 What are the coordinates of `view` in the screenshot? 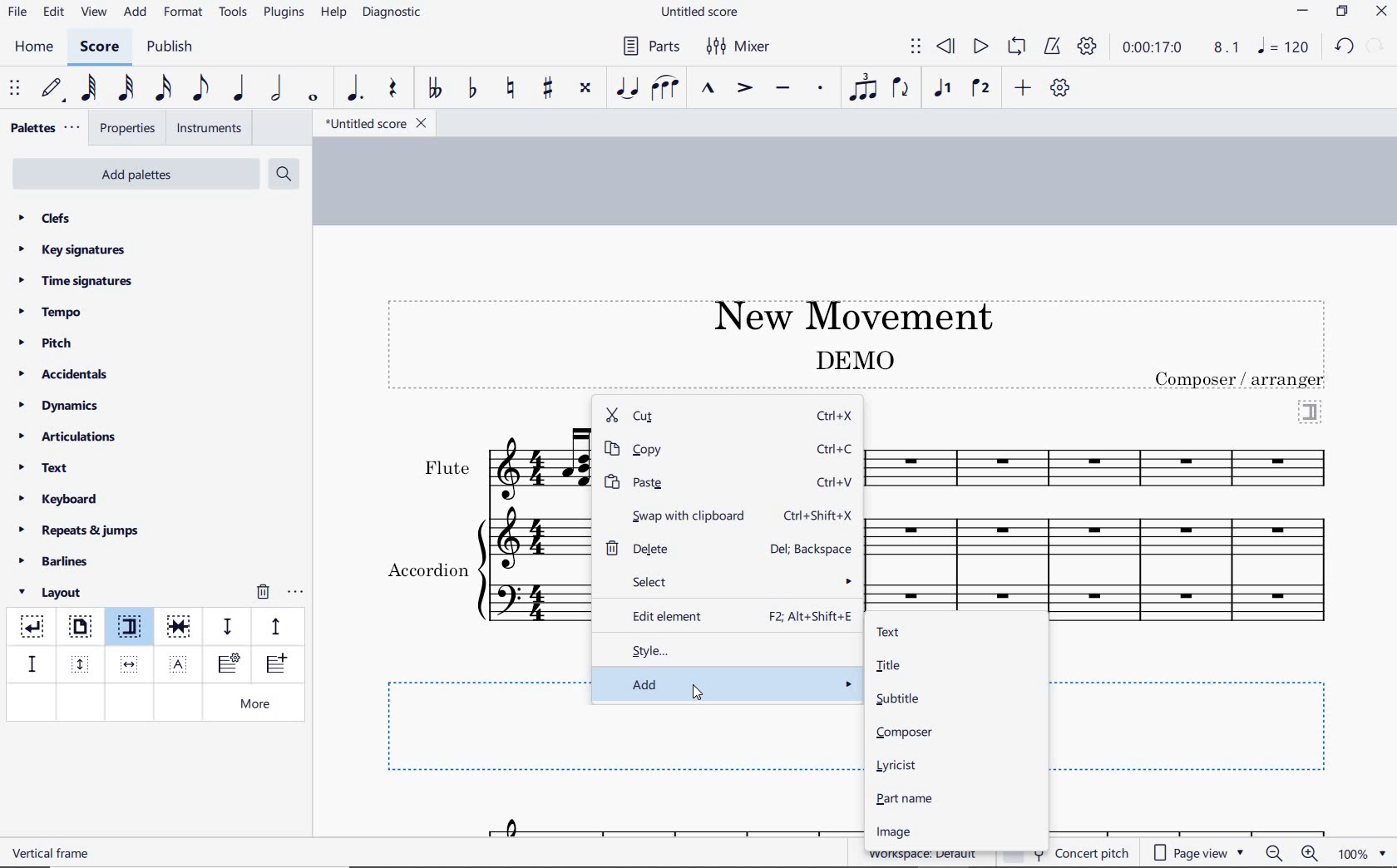 It's located at (91, 13).